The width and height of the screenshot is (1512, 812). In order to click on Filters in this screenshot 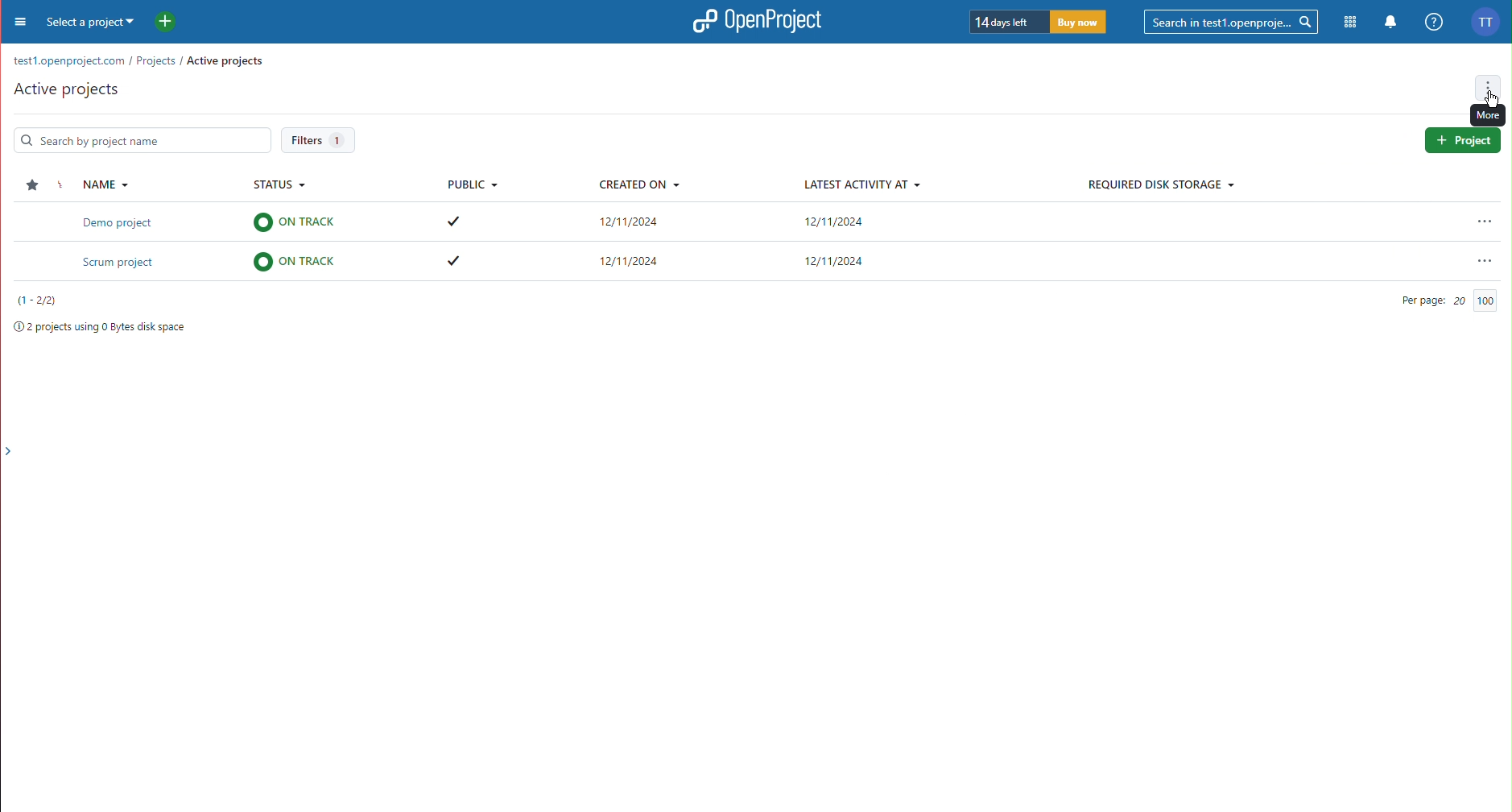, I will do `click(318, 138)`.